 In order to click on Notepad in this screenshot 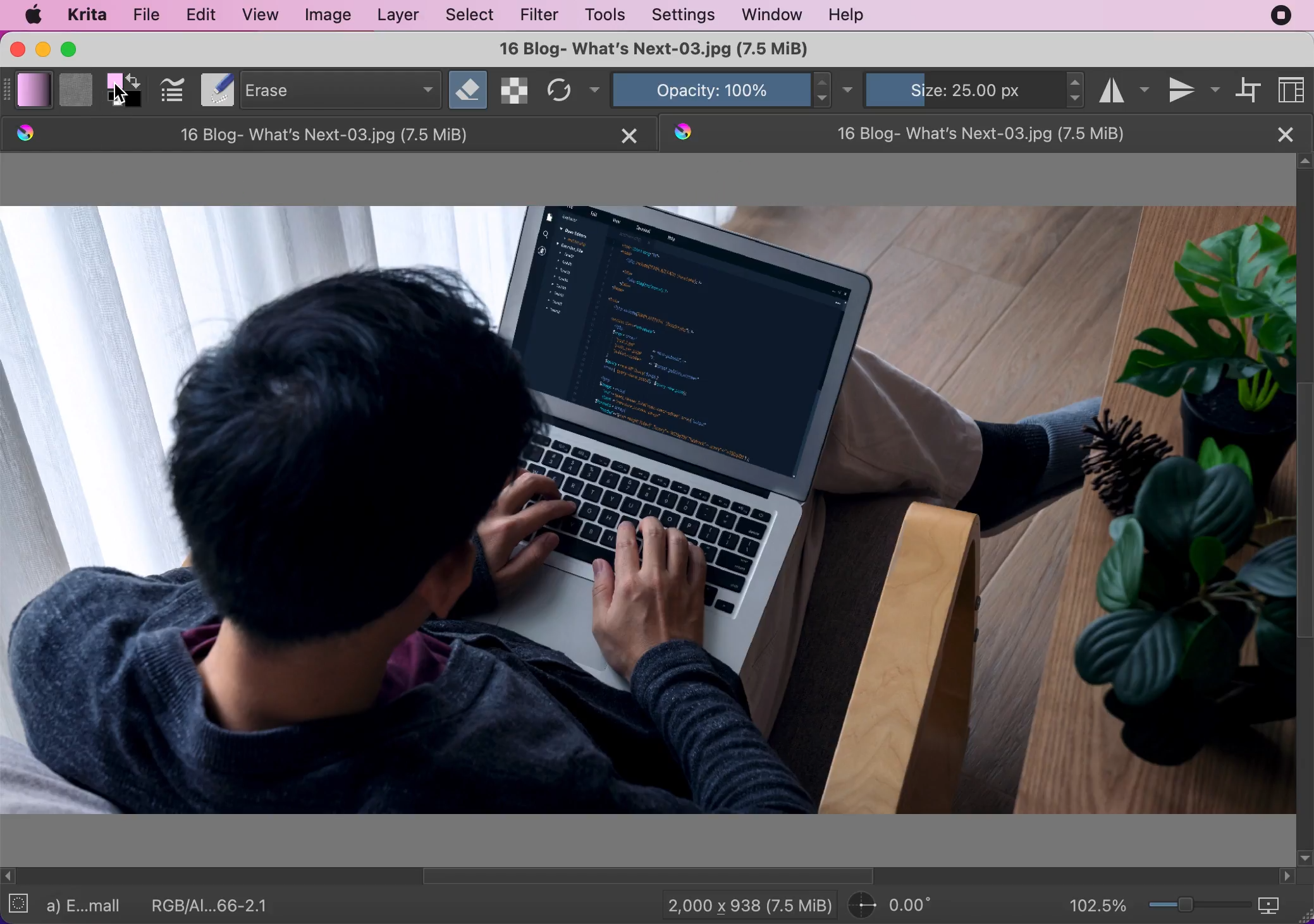, I will do `click(214, 90)`.